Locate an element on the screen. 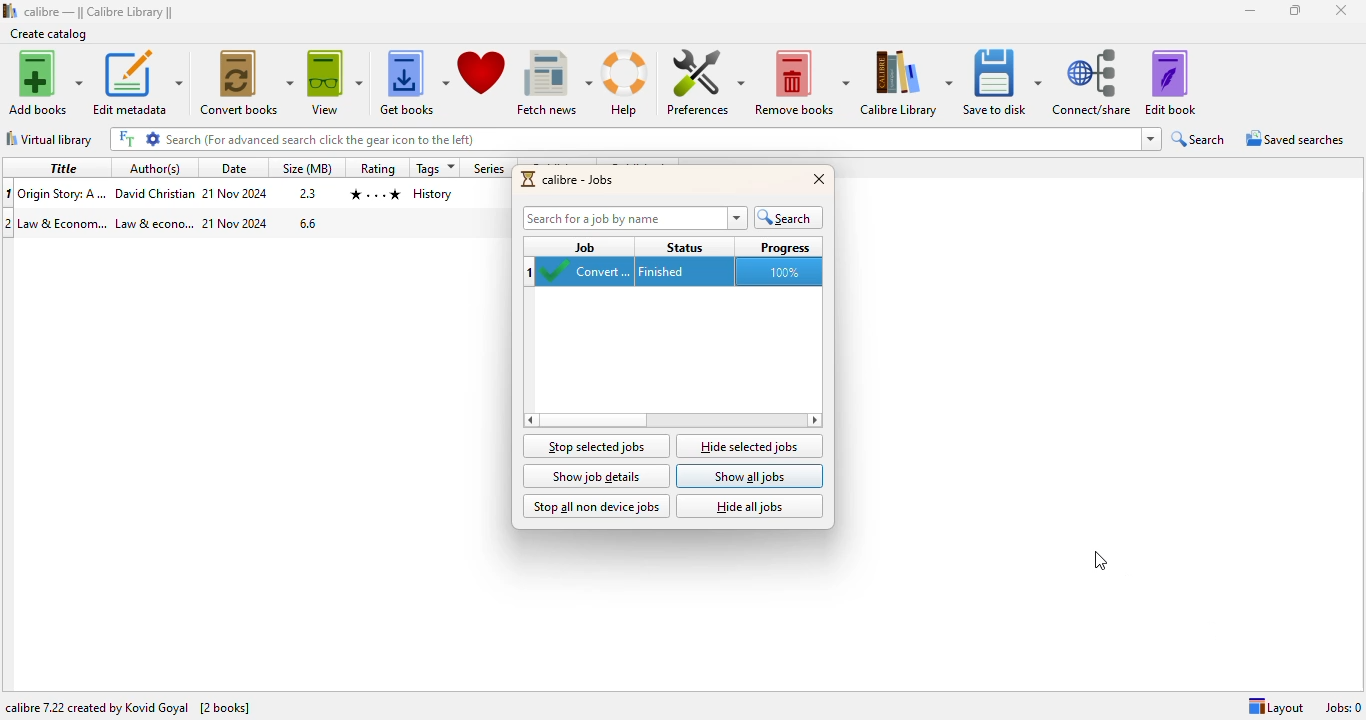 The height and width of the screenshot is (720, 1366). [2 books] is located at coordinates (225, 708).